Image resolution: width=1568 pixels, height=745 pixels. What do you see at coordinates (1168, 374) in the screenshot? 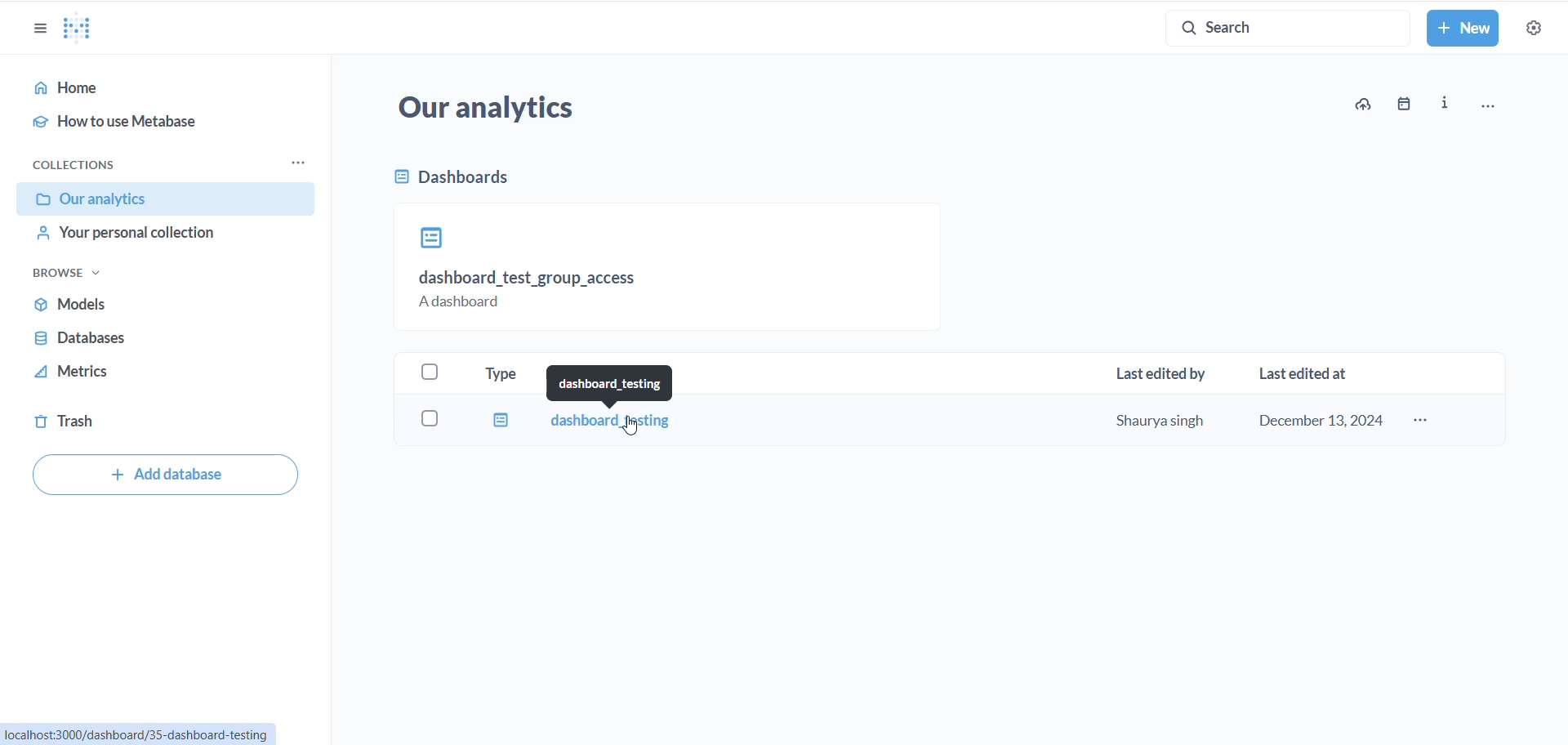
I see `last edited by ` at bounding box center [1168, 374].